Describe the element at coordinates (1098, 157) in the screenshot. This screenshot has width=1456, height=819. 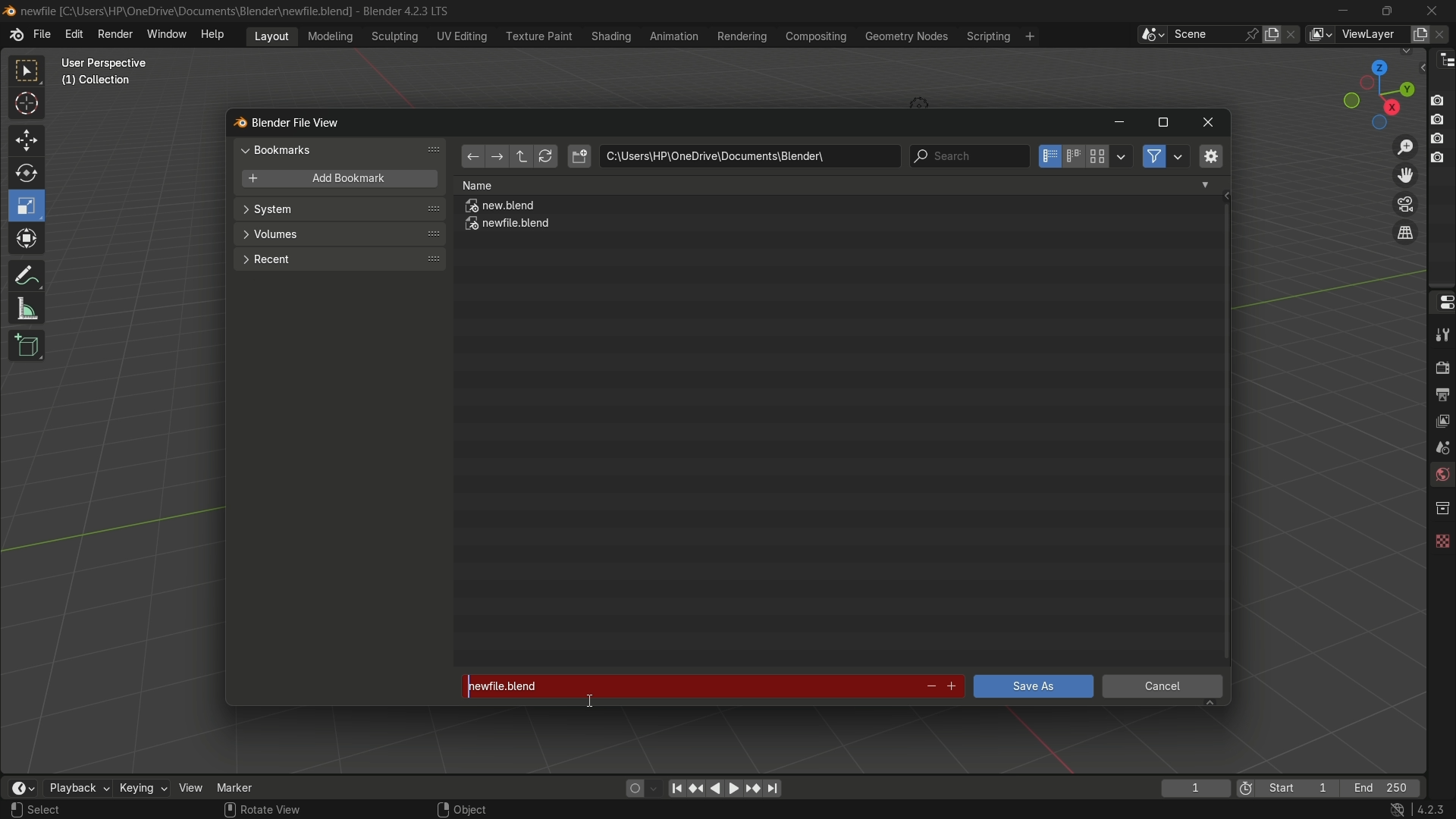
I see `thumbnails display` at that location.